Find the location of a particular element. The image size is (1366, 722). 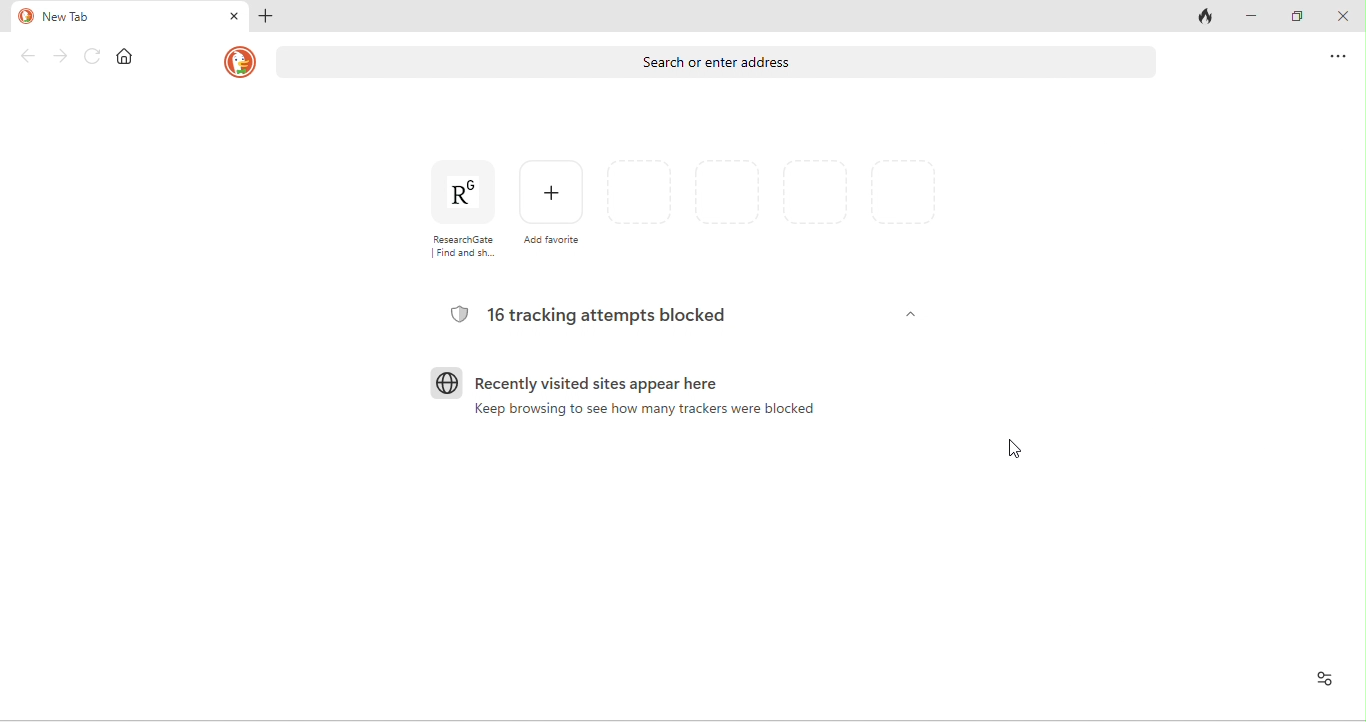

search bar is located at coordinates (718, 64).